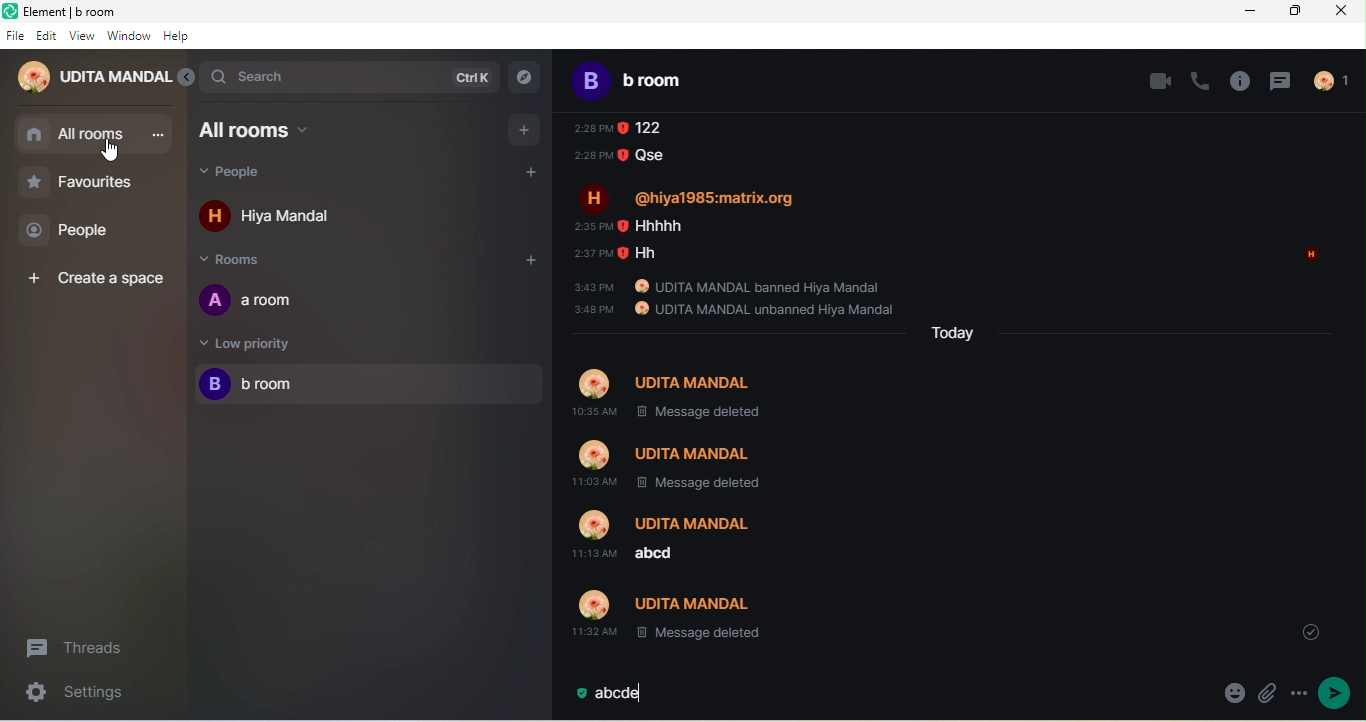 The height and width of the screenshot is (722, 1366). I want to click on a room, so click(260, 299).